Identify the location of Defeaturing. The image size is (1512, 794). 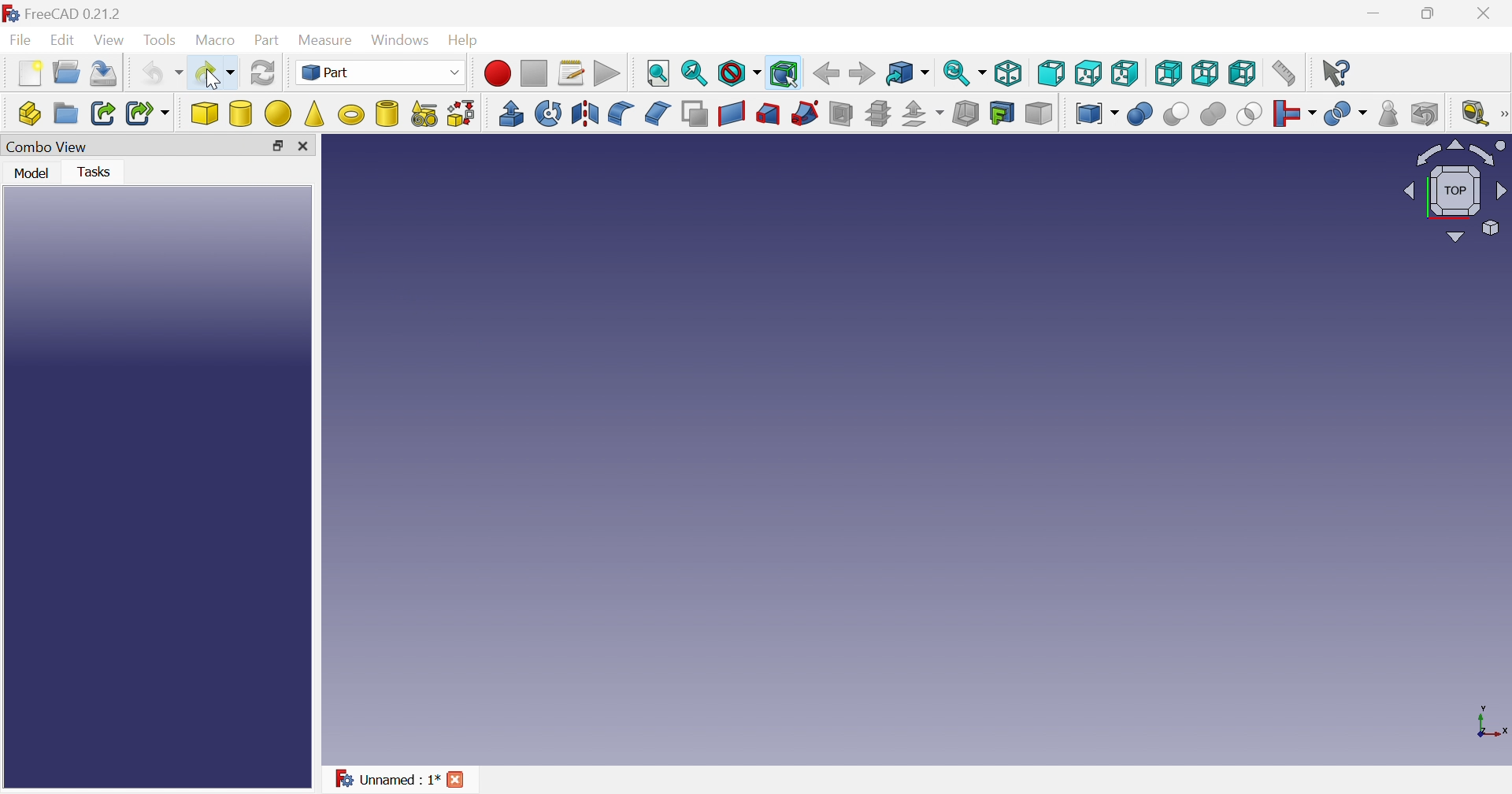
(1425, 116).